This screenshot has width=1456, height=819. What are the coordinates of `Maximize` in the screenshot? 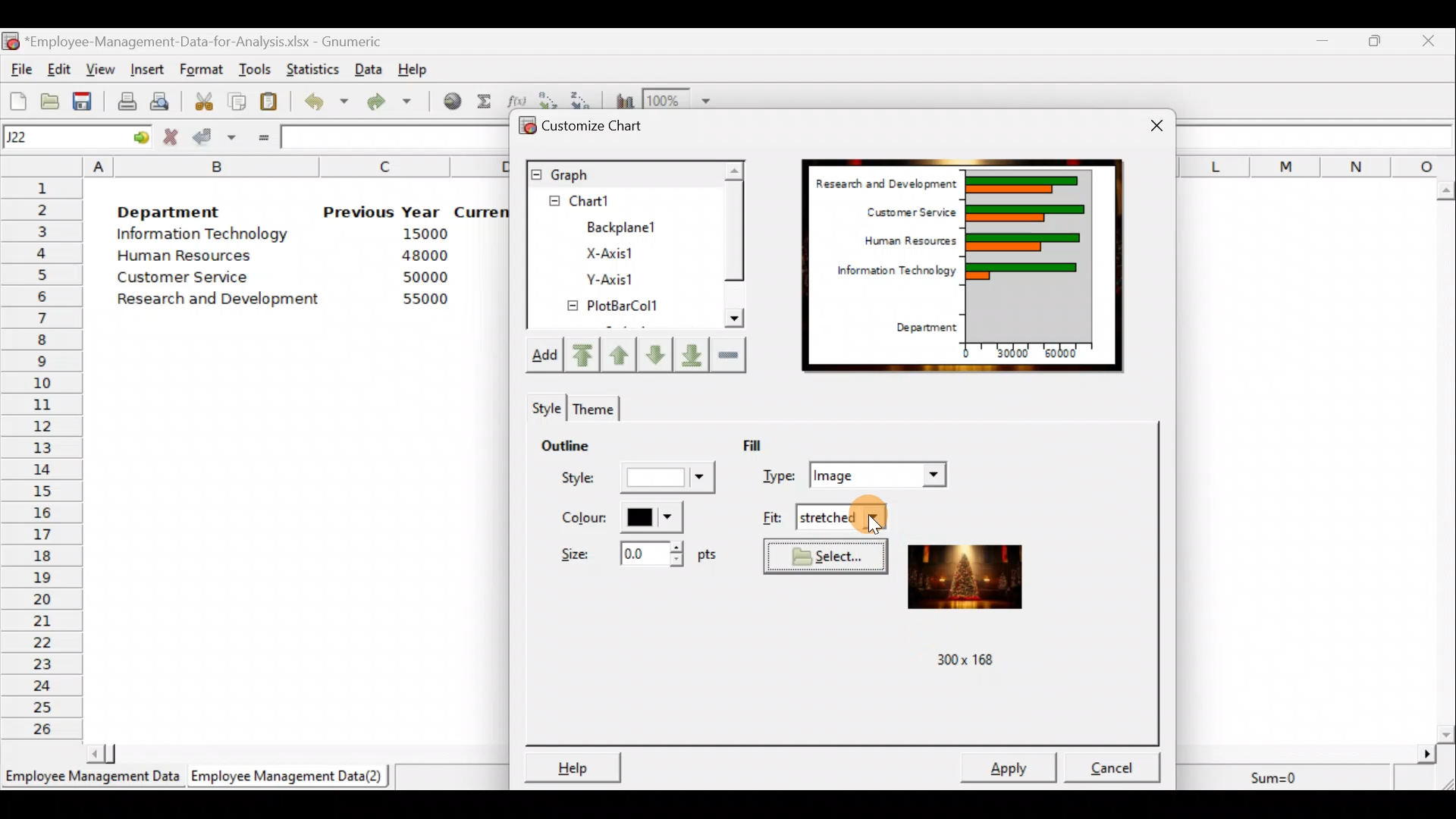 It's located at (1378, 41).